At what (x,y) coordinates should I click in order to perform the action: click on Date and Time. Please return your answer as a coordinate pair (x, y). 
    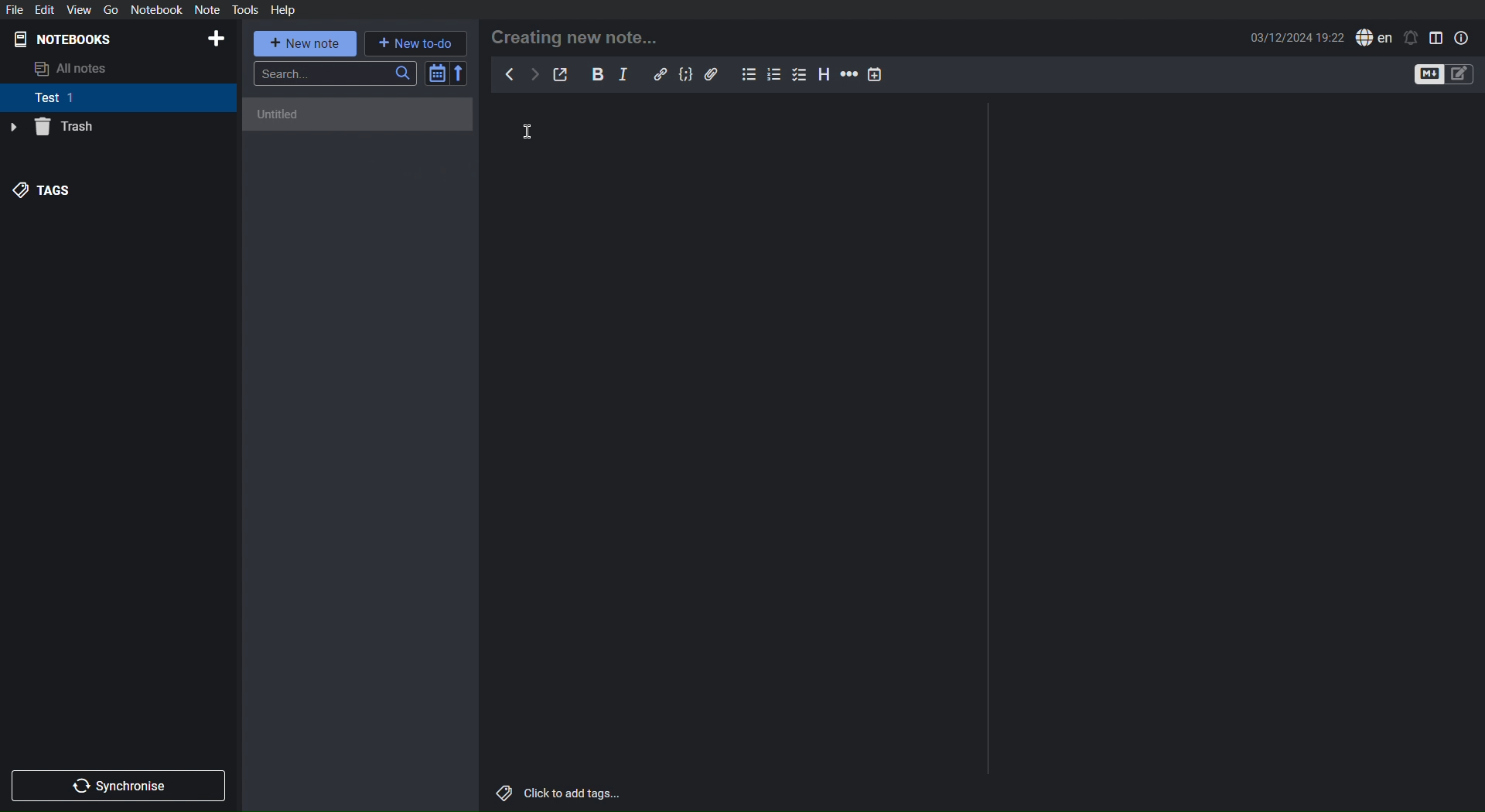
    Looking at the image, I should click on (1296, 38).